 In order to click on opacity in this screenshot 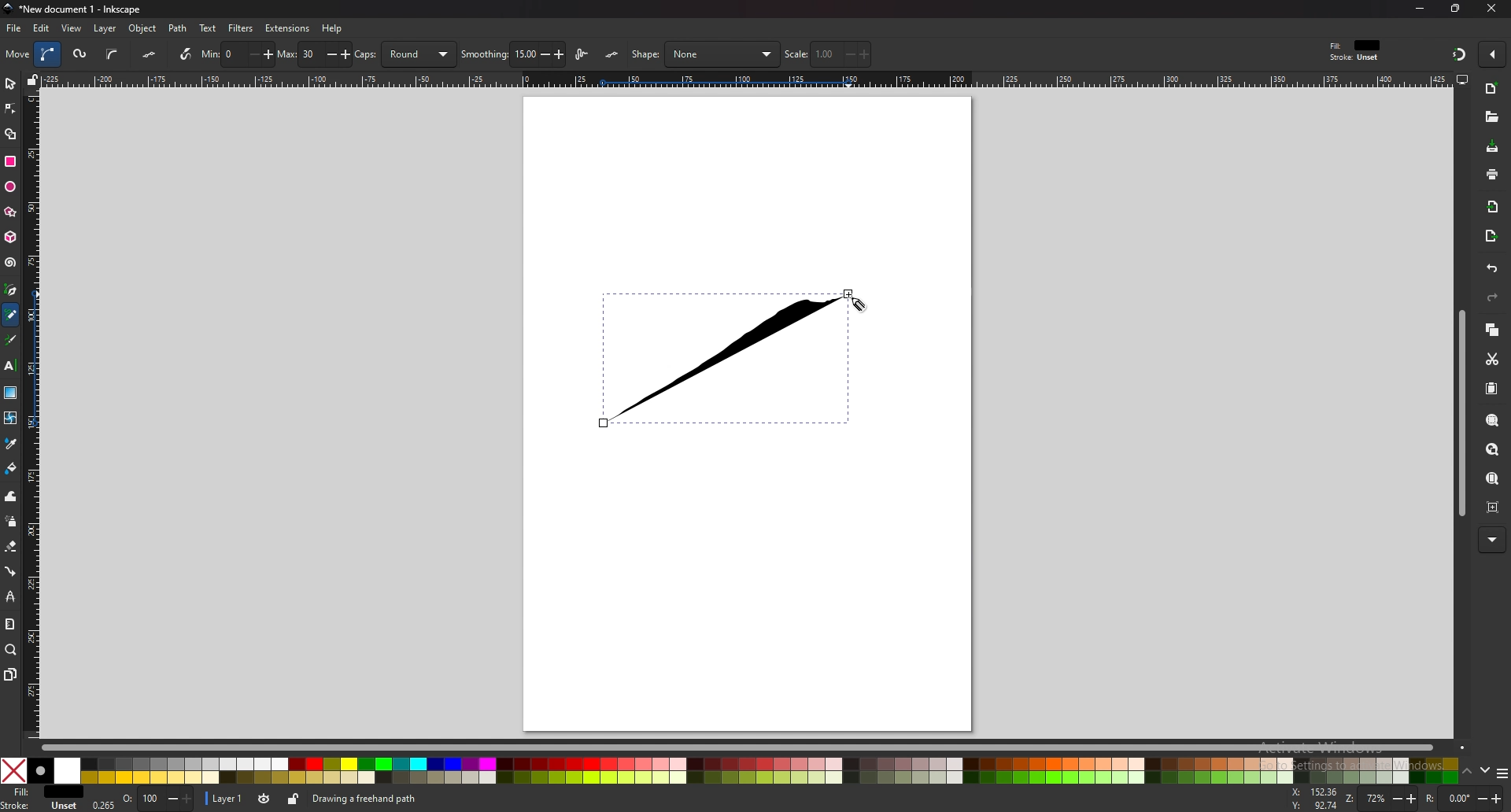, I will do `click(145, 799)`.